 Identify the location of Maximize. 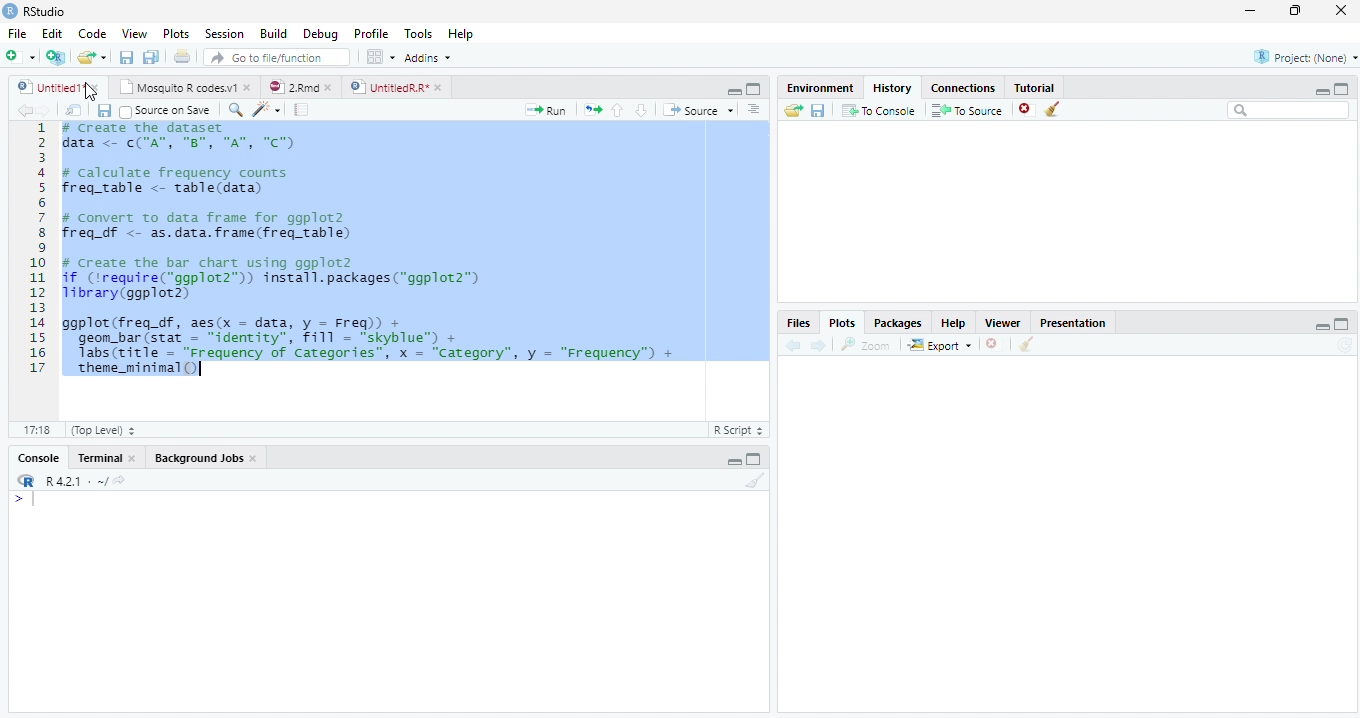
(1343, 88).